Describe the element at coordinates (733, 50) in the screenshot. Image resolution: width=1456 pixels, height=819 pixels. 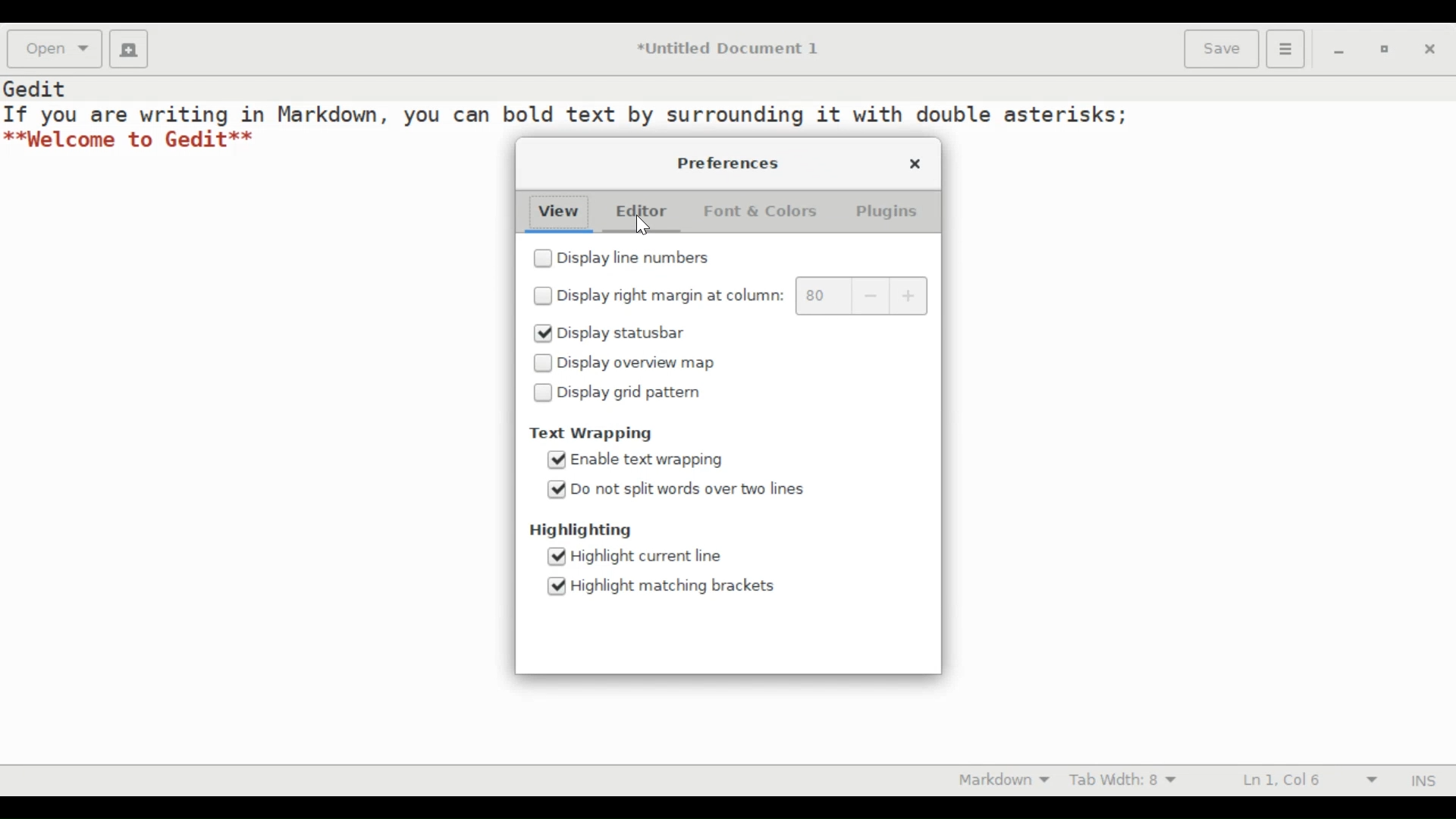
I see `*Untitled Document 1` at that location.